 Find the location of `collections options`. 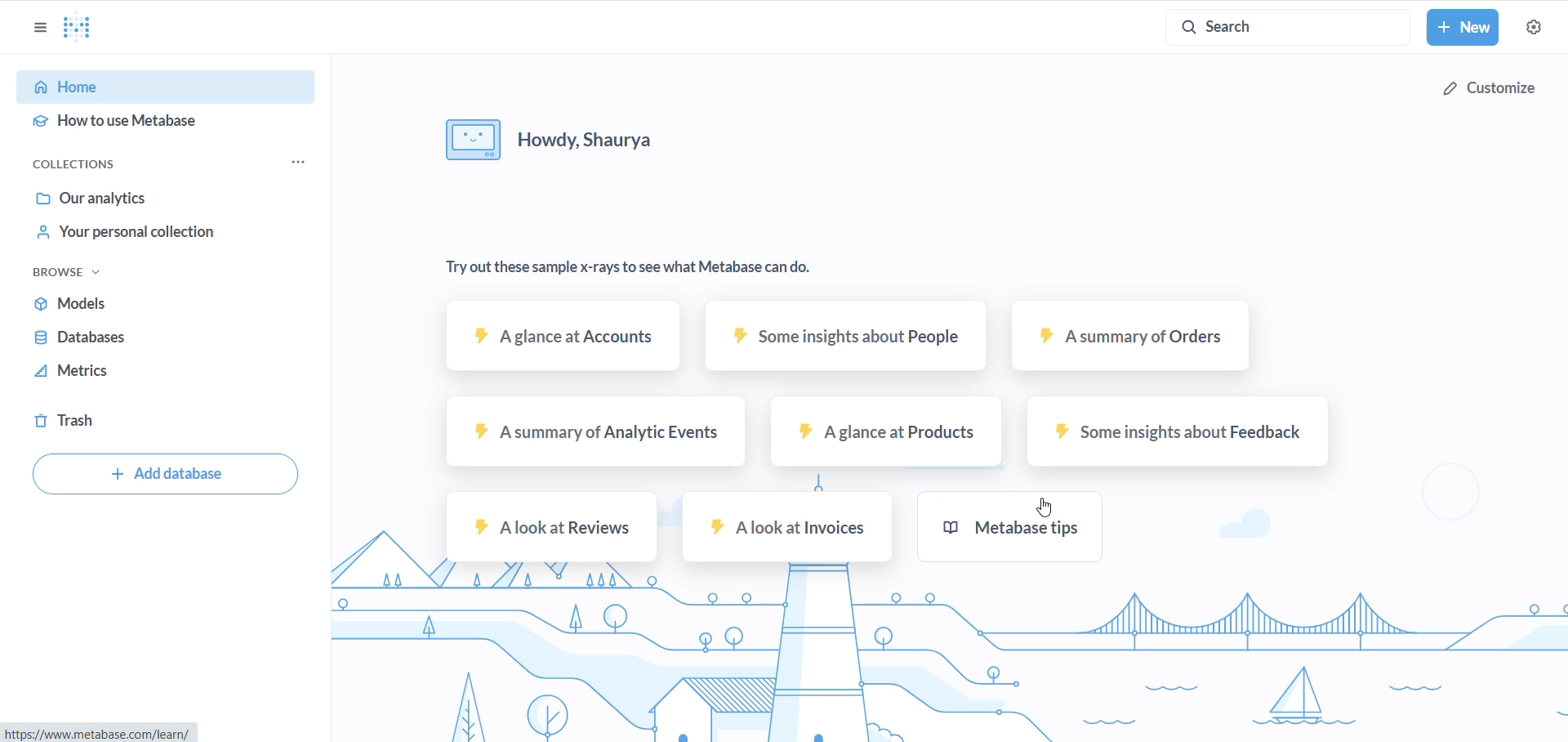

collections options is located at coordinates (301, 161).